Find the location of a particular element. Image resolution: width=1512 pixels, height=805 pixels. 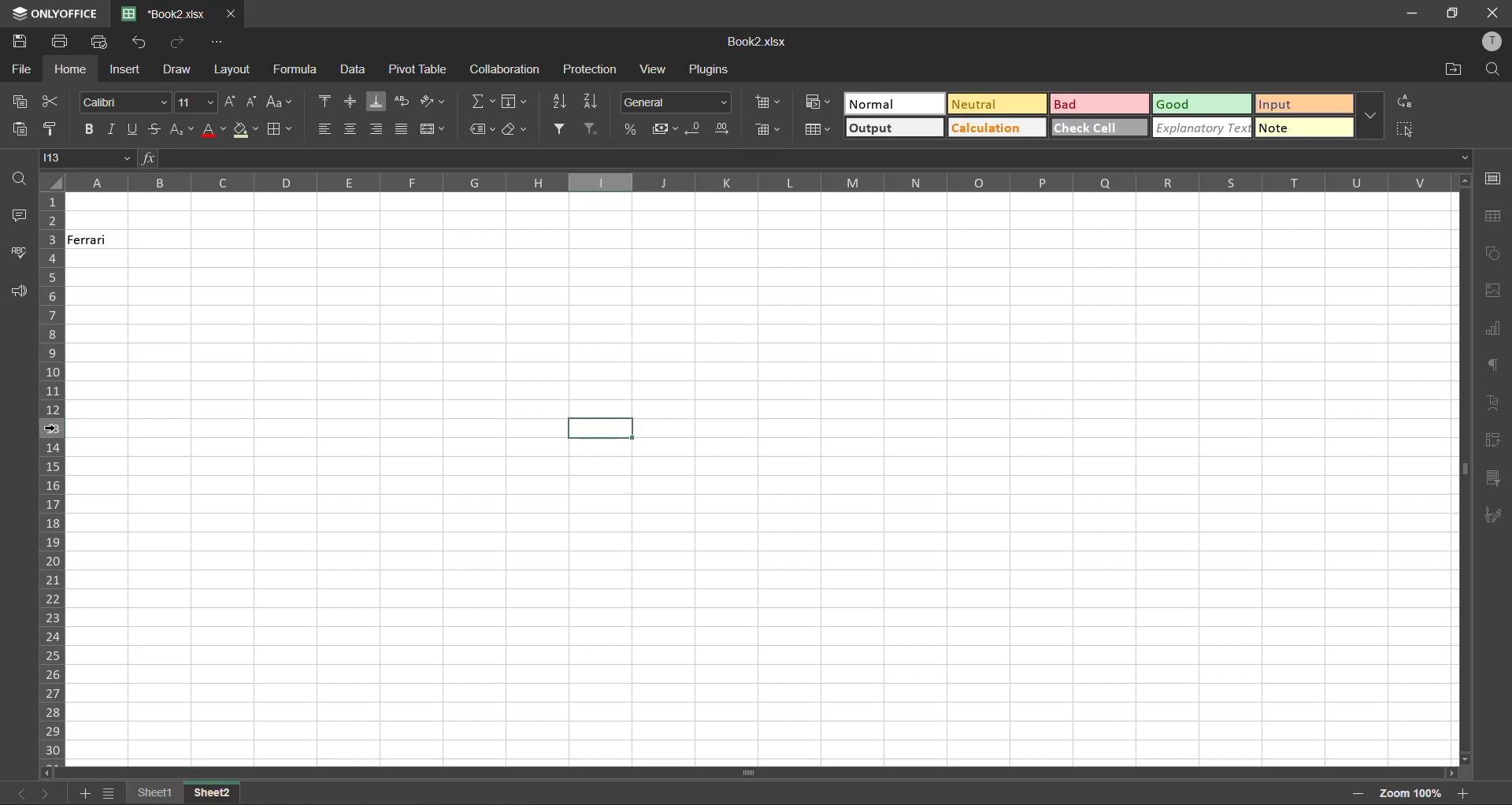

plugins is located at coordinates (708, 67).